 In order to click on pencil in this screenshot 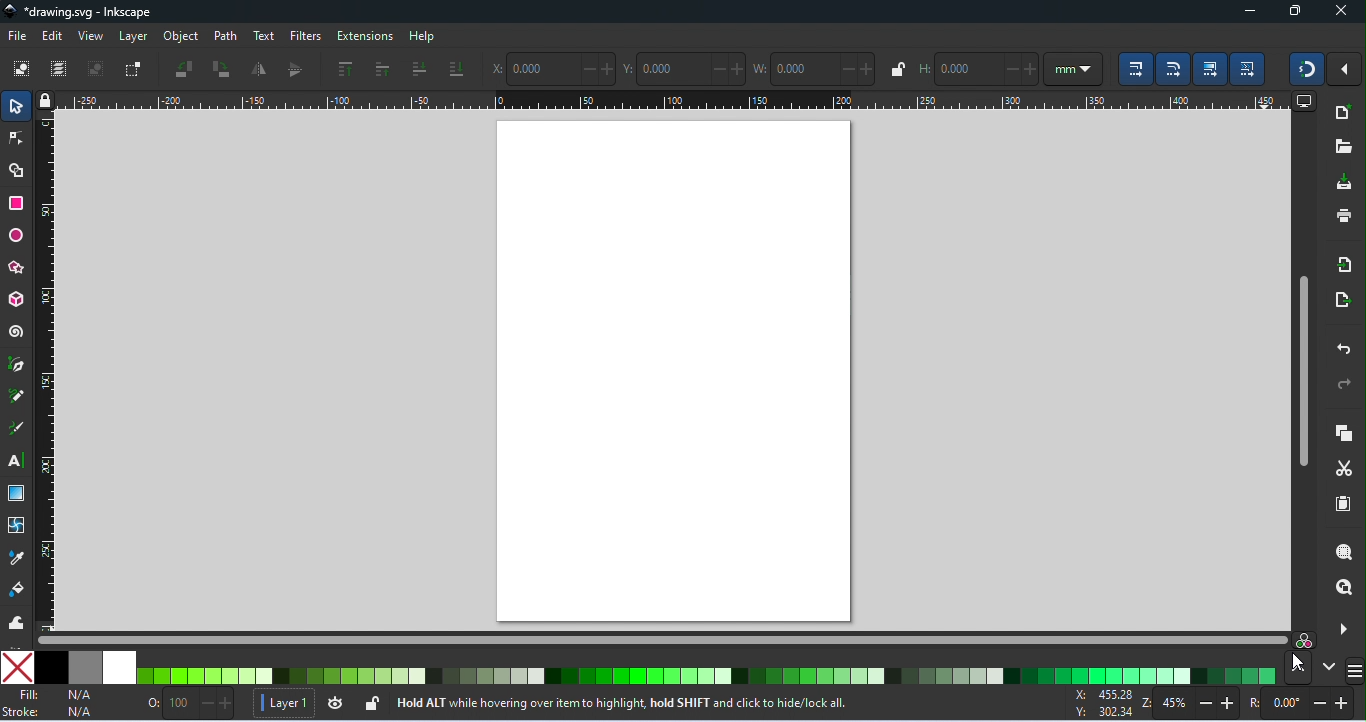, I will do `click(20, 398)`.